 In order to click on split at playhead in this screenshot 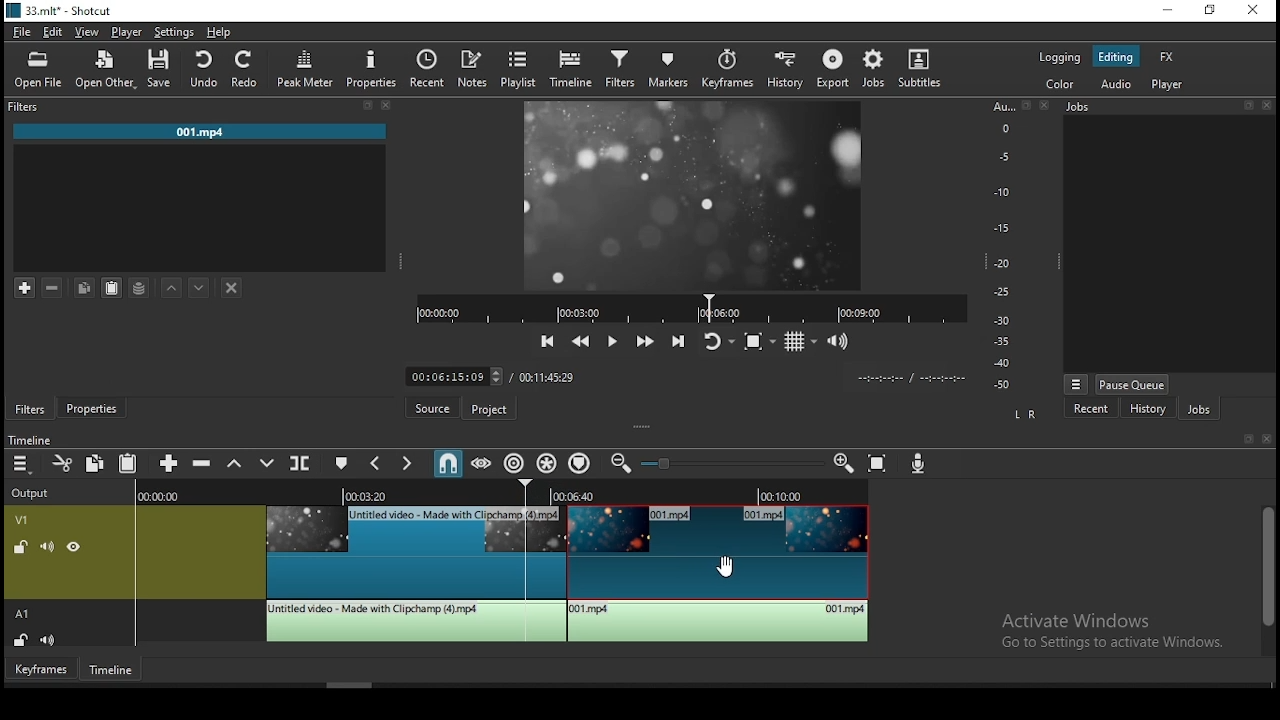, I will do `click(427, 66)`.